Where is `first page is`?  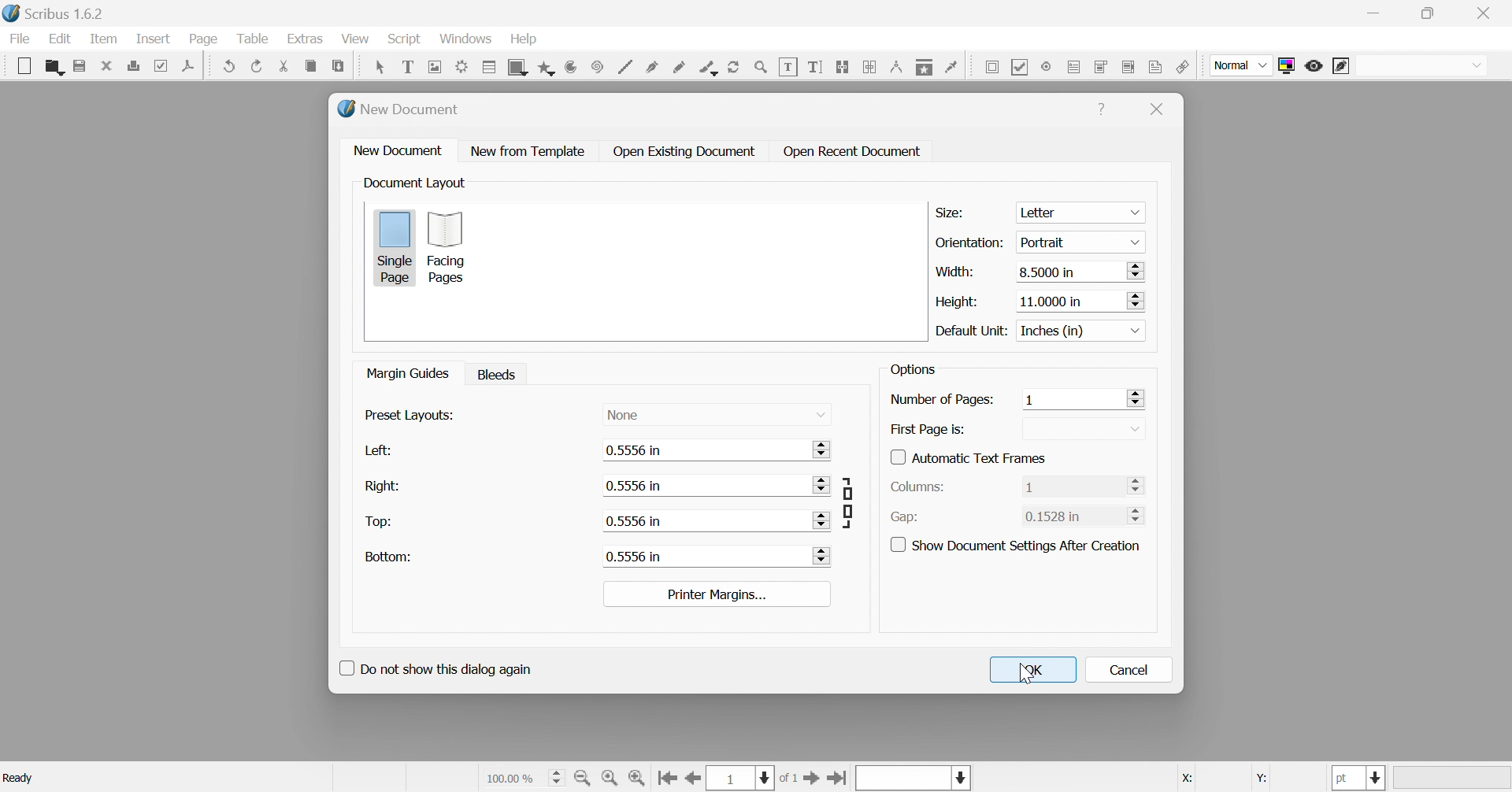 first page is is located at coordinates (929, 429).